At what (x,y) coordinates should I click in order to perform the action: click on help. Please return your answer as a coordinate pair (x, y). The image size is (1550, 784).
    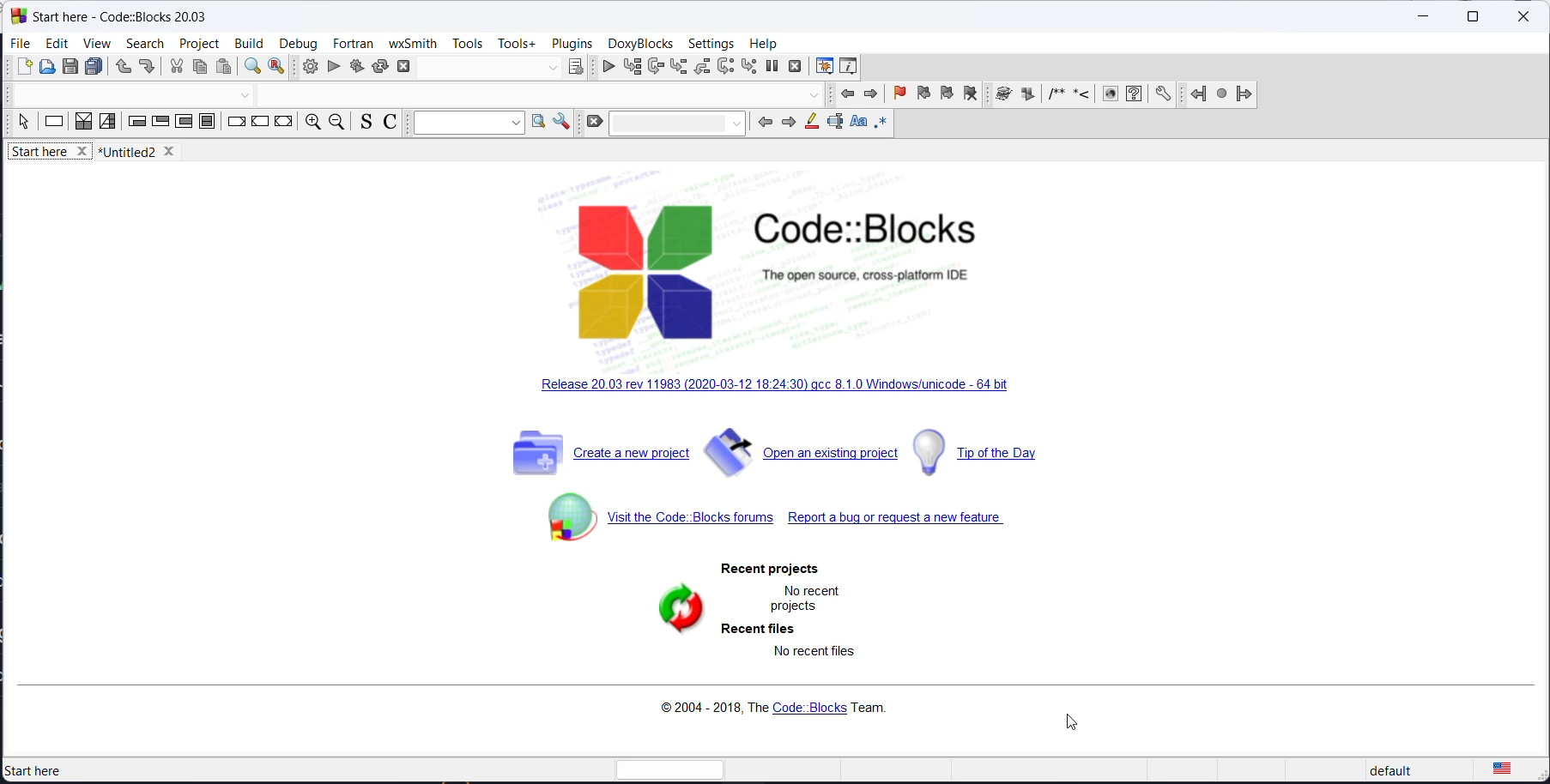
    Looking at the image, I should click on (764, 41).